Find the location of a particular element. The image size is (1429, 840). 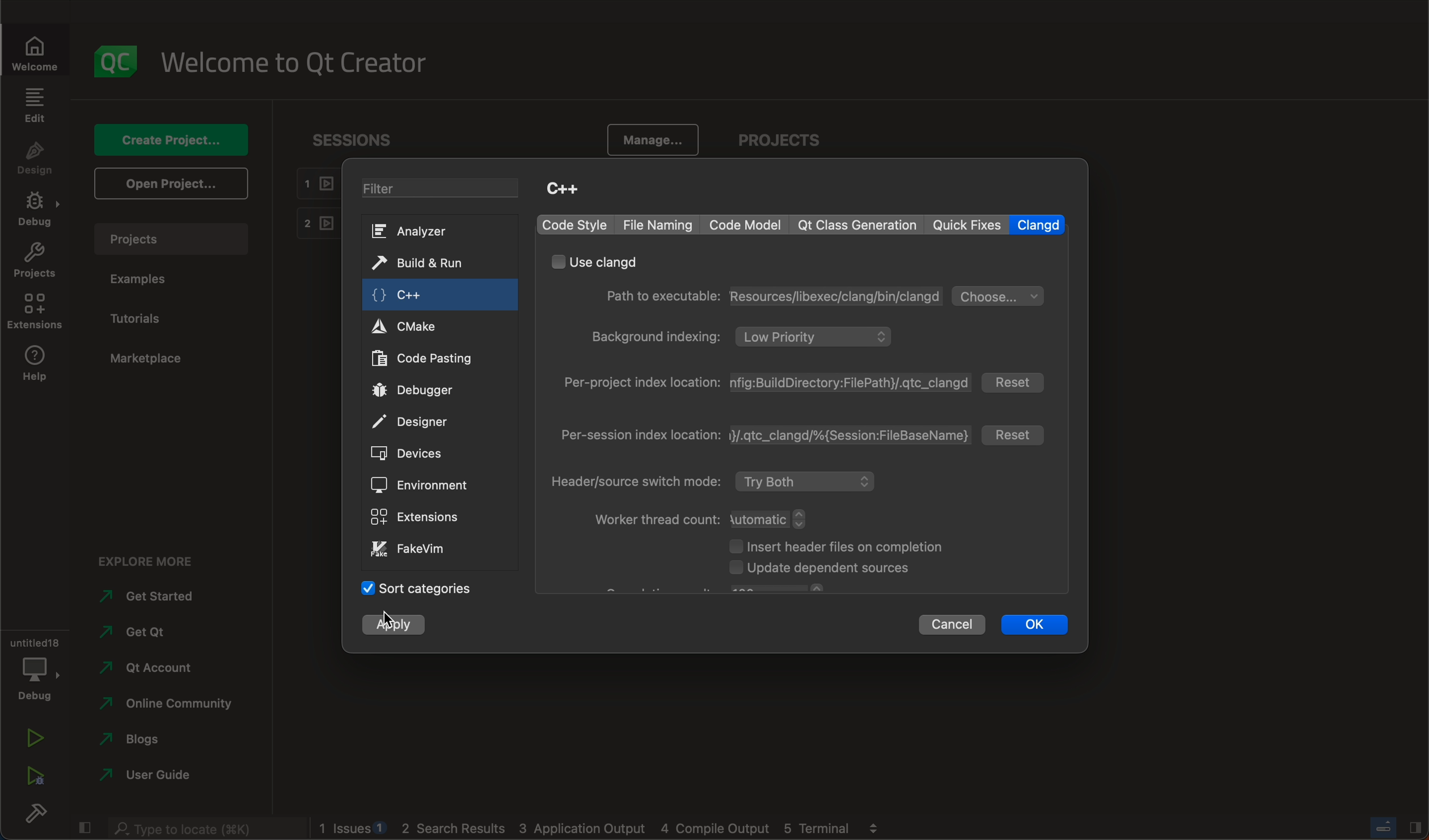

debug is located at coordinates (35, 211).